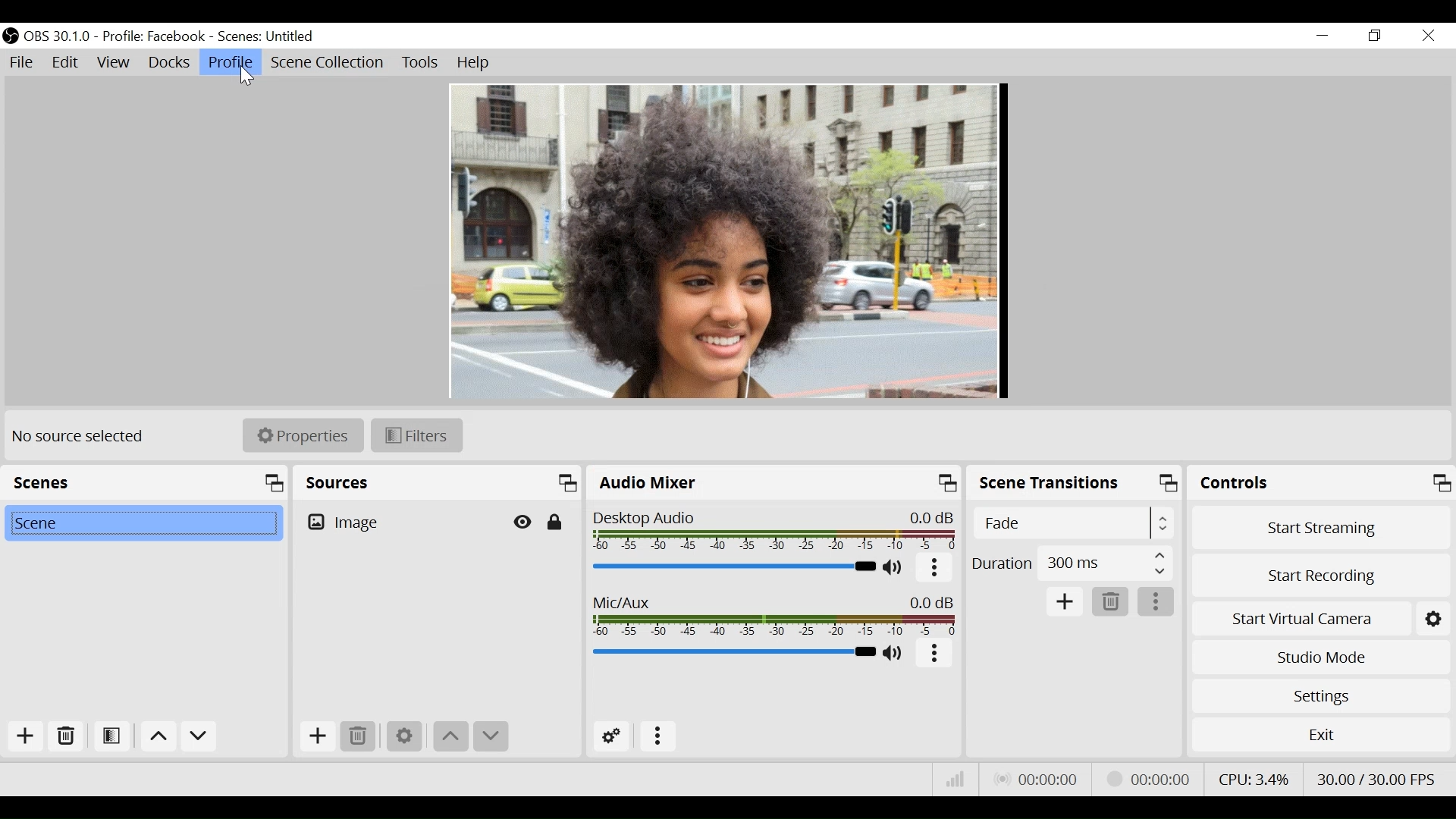  I want to click on Audio Mixer, so click(775, 483).